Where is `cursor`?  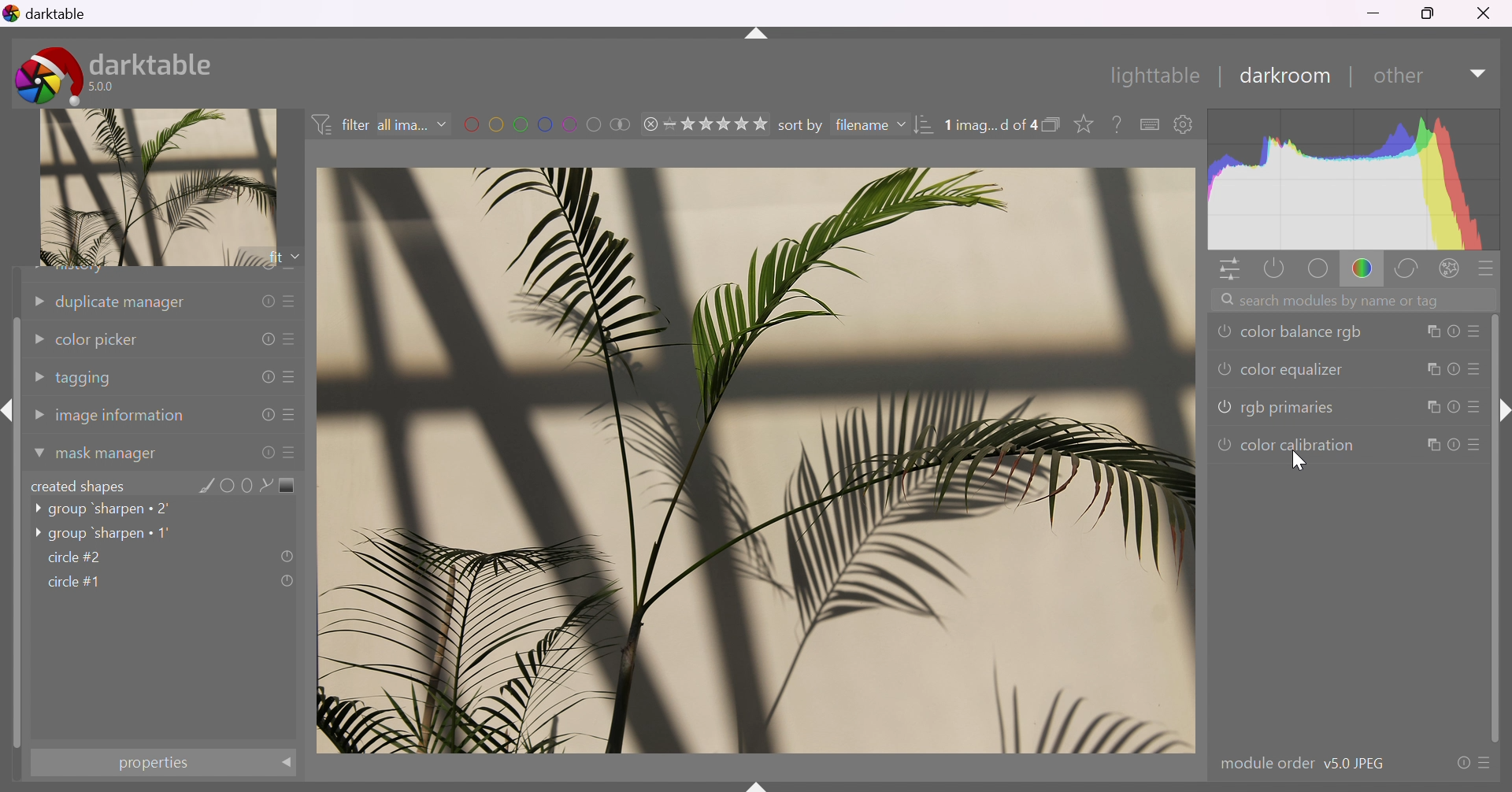 cursor is located at coordinates (1303, 466).